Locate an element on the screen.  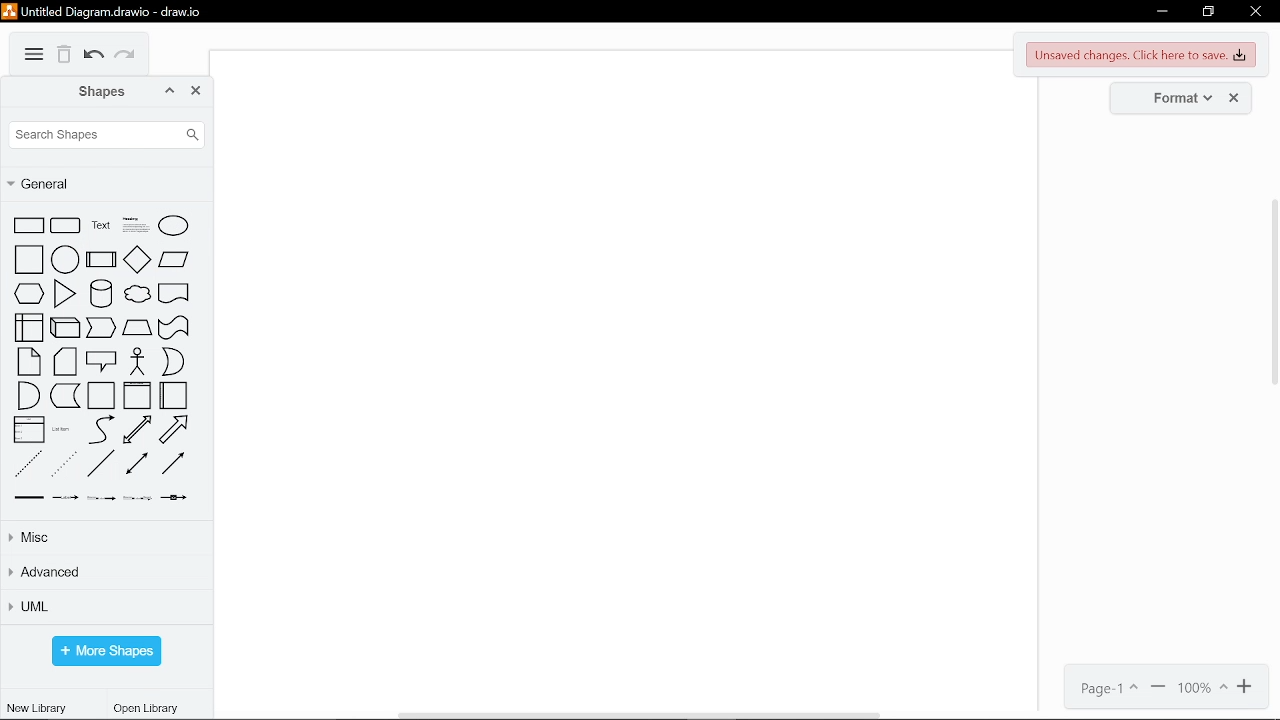
or is located at coordinates (173, 361).